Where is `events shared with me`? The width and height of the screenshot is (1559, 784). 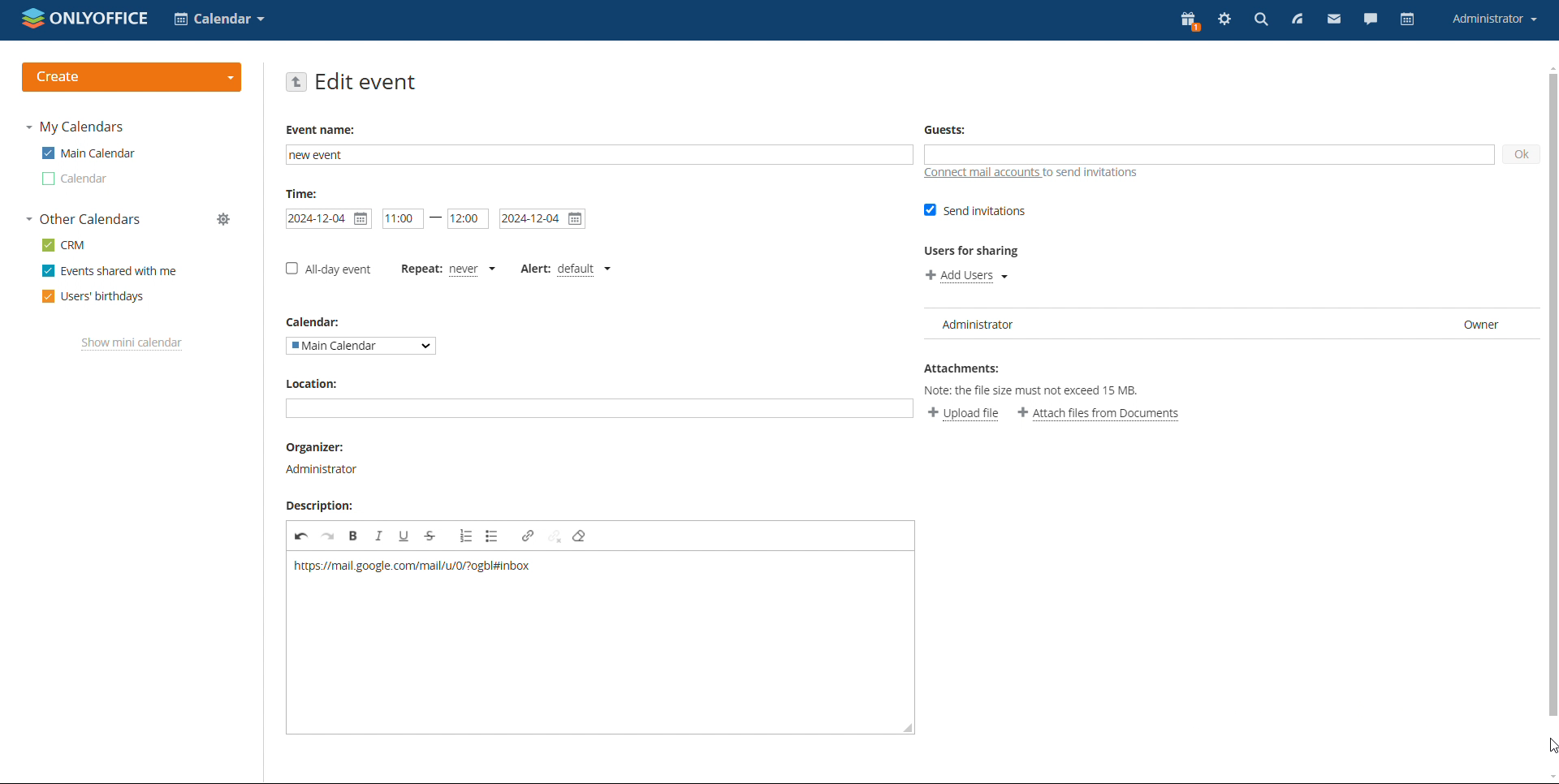
events shared with me is located at coordinates (110, 271).